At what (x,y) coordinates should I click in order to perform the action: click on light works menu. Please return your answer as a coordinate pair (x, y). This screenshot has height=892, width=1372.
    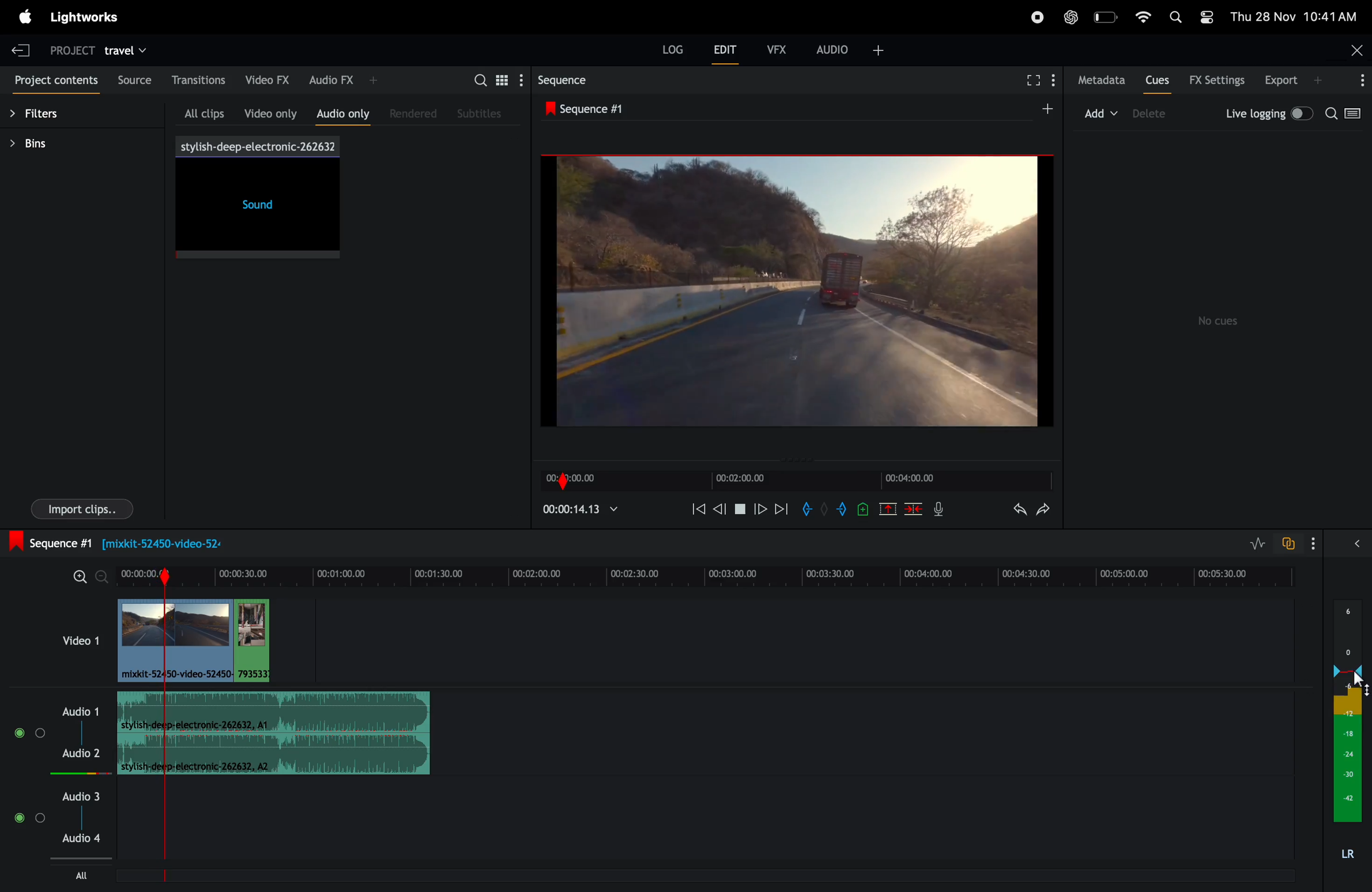
    Looking at the image, I should click on (87, 19).